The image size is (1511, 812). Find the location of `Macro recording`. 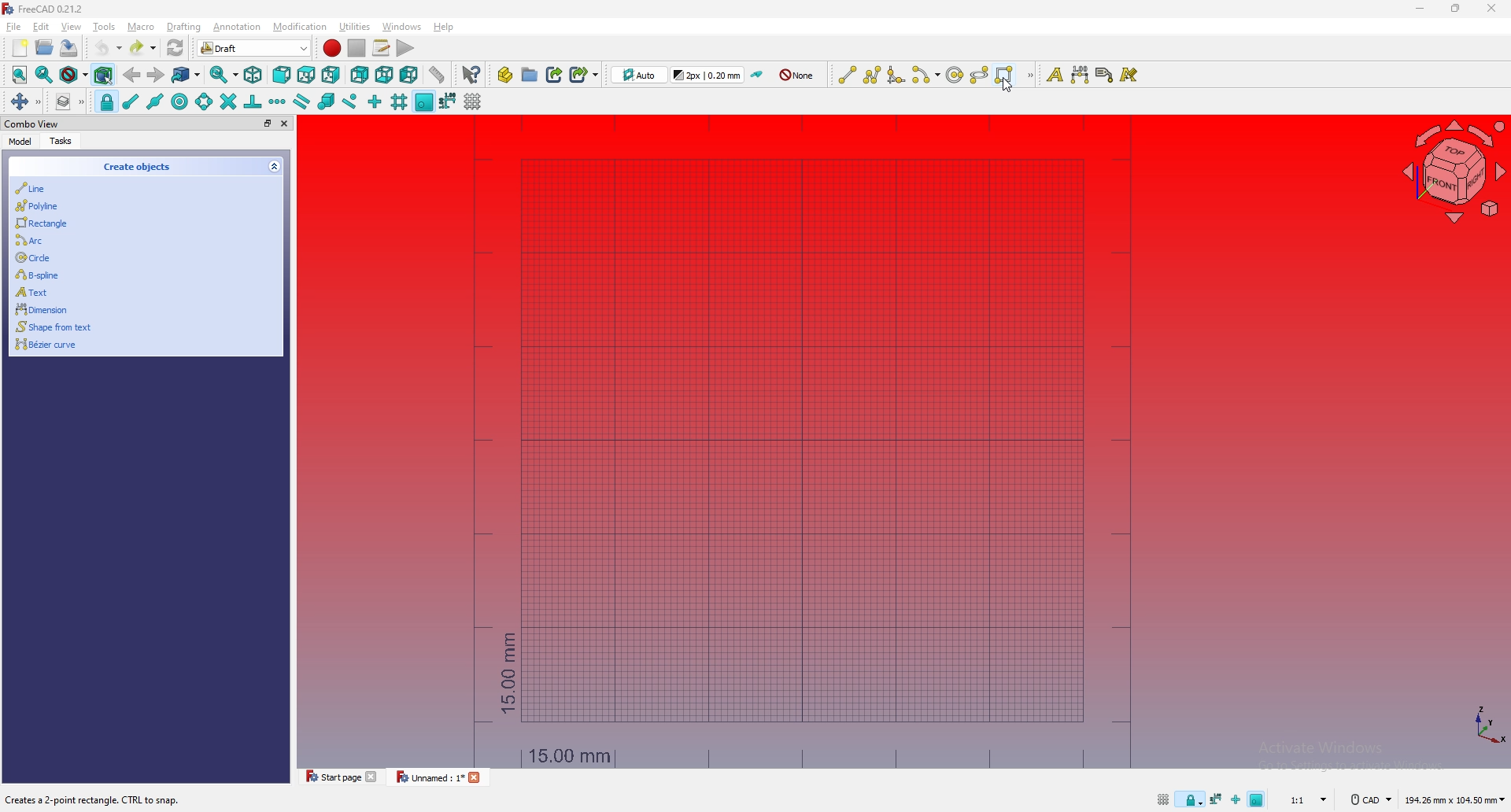

Macro recording is located at coordinates (332, 48).